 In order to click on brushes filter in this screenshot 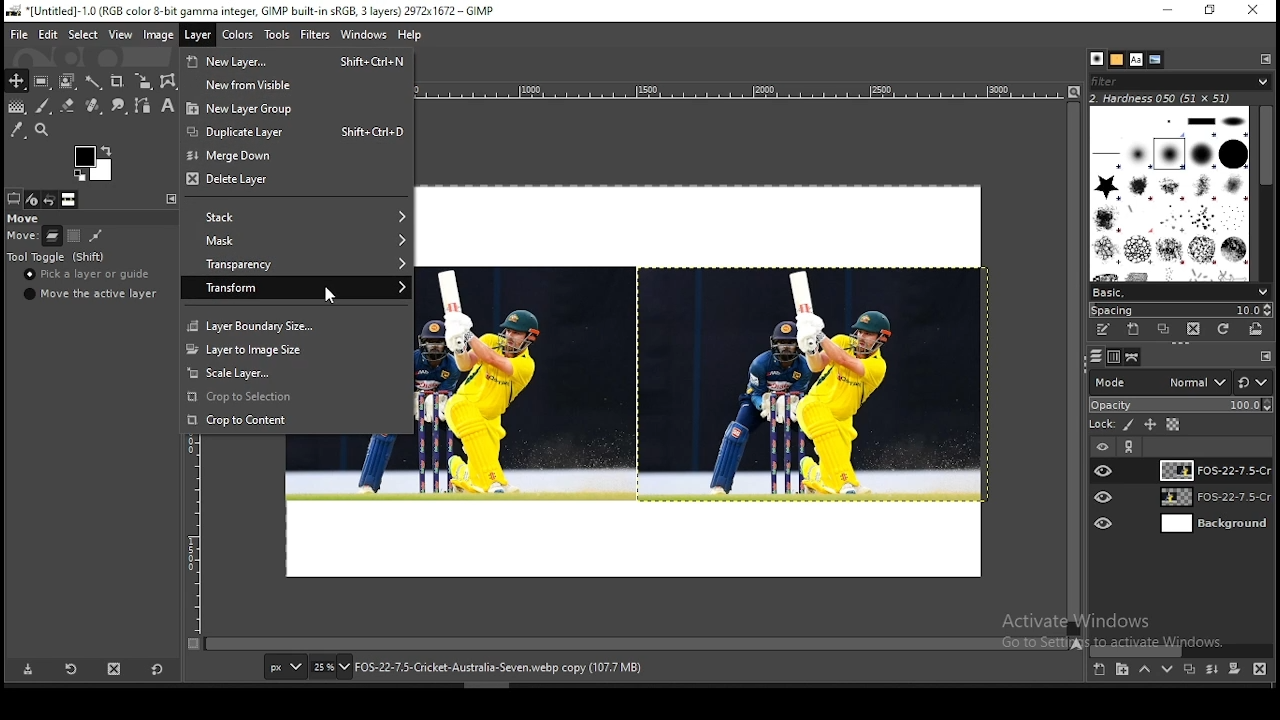, I will do `click(1180, 80)`.